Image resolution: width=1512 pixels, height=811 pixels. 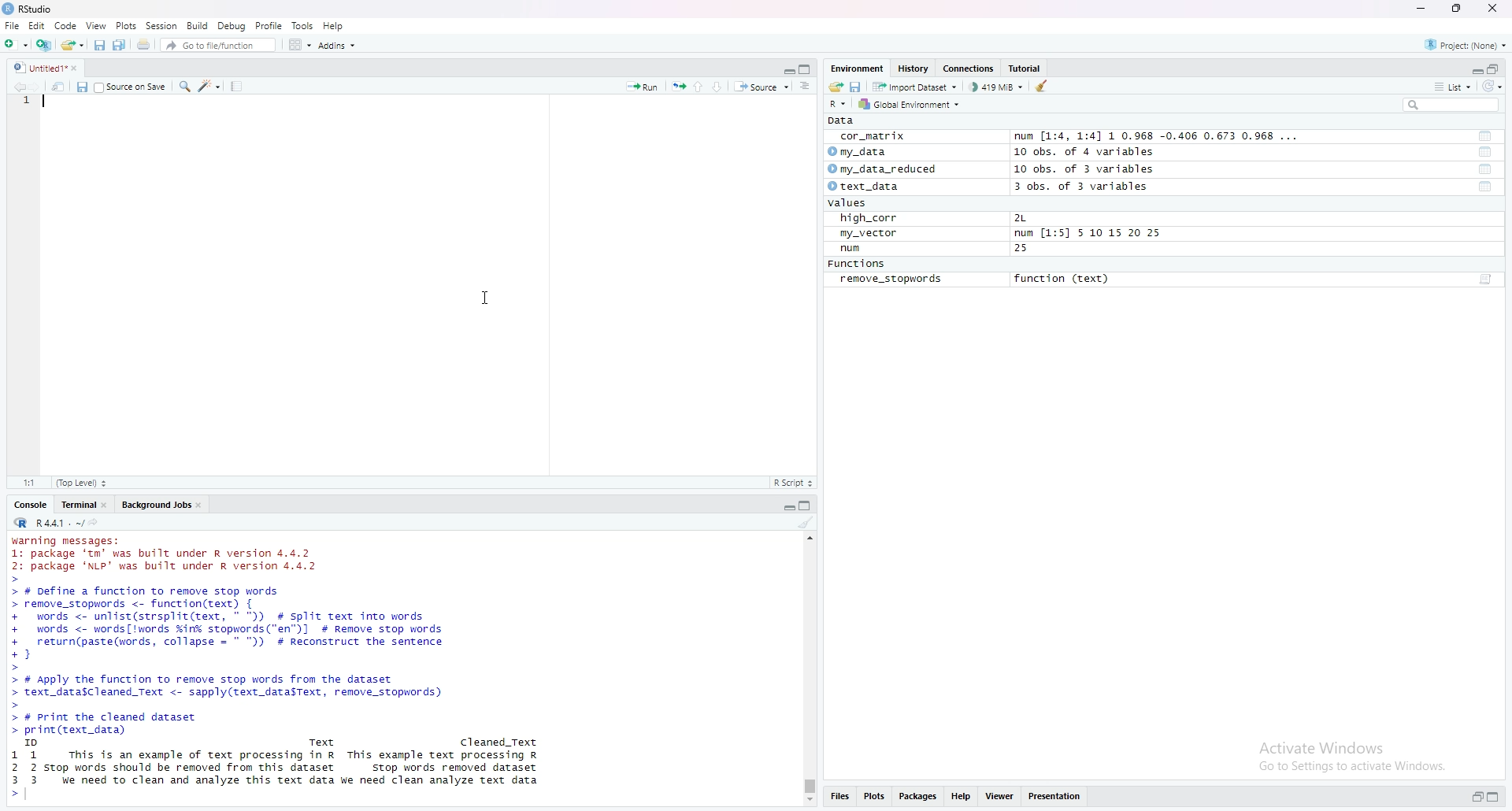 What do you see at coordinates (81, 483) in the screenshot?
I see `(Top Level)` at bounding box center [81, 483].